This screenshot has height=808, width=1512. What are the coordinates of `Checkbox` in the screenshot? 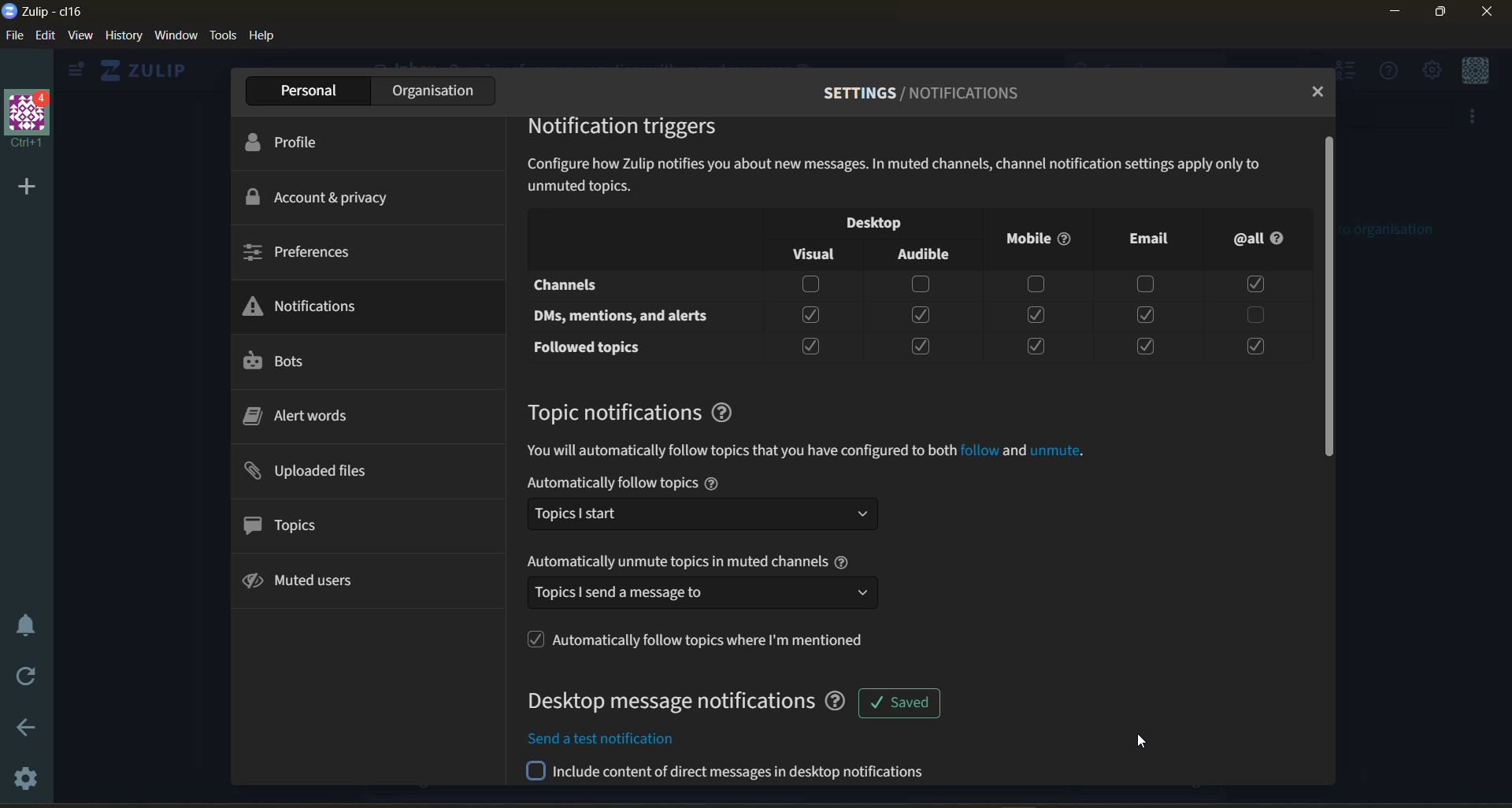 It's located at (1259, 284).